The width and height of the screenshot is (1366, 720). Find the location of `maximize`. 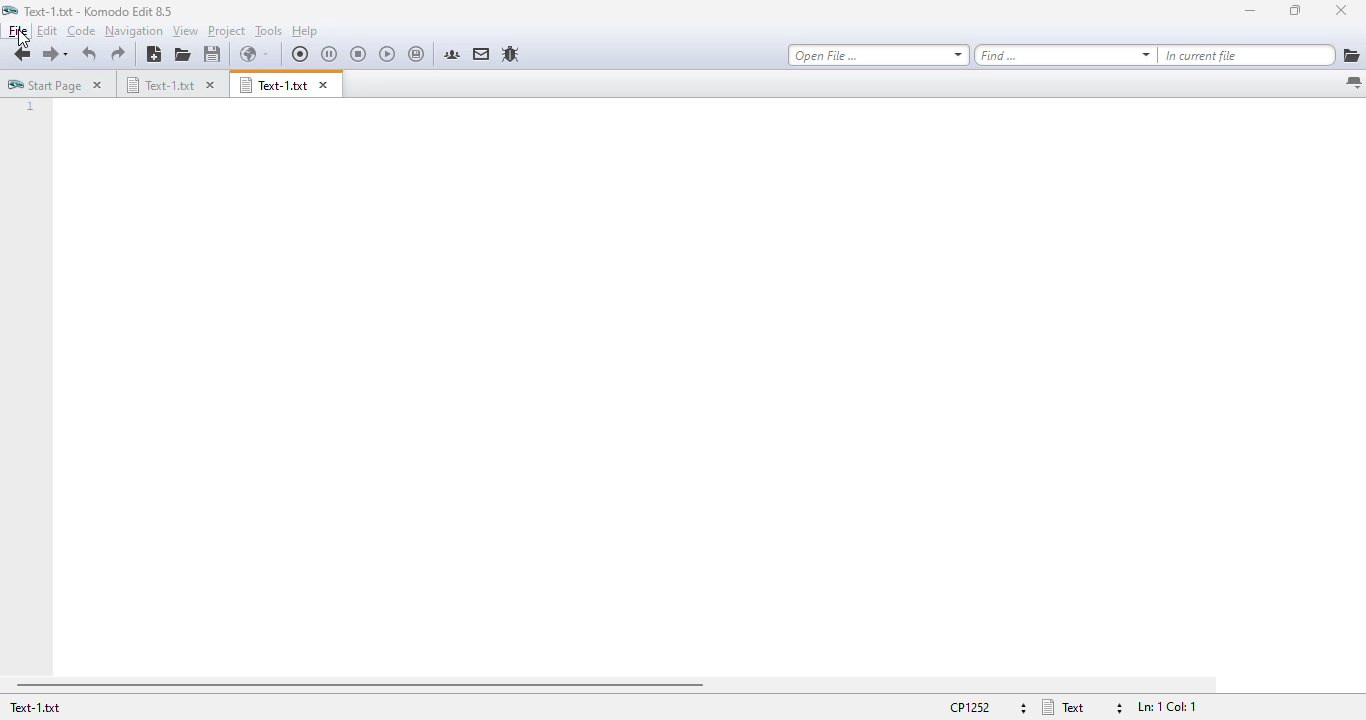

maximize is located at coordinates (1294, 9).